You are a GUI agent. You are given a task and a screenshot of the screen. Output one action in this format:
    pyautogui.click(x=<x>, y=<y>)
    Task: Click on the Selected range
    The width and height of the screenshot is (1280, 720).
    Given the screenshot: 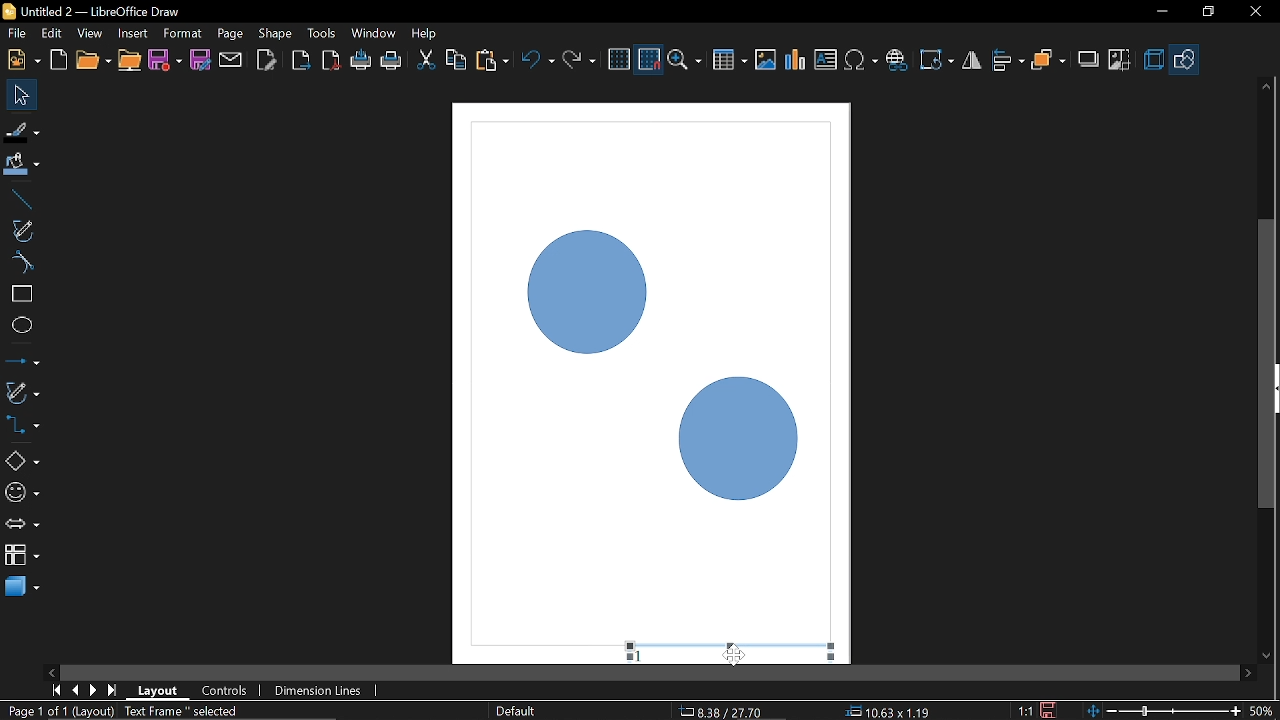 What is the action you would take?
    pyautogui.click(x=733, y=647)
    